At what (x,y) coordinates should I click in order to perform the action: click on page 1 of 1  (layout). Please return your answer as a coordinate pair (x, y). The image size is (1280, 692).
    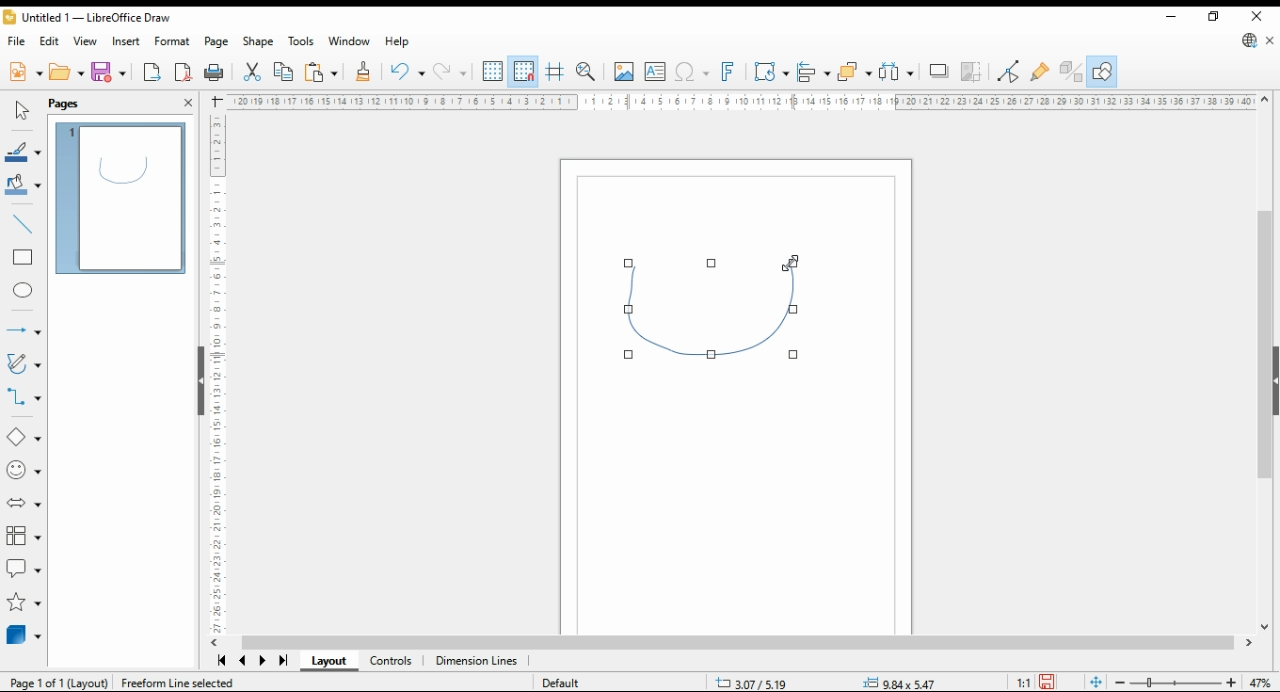
    Looking at the image, I should click on (60, 682).